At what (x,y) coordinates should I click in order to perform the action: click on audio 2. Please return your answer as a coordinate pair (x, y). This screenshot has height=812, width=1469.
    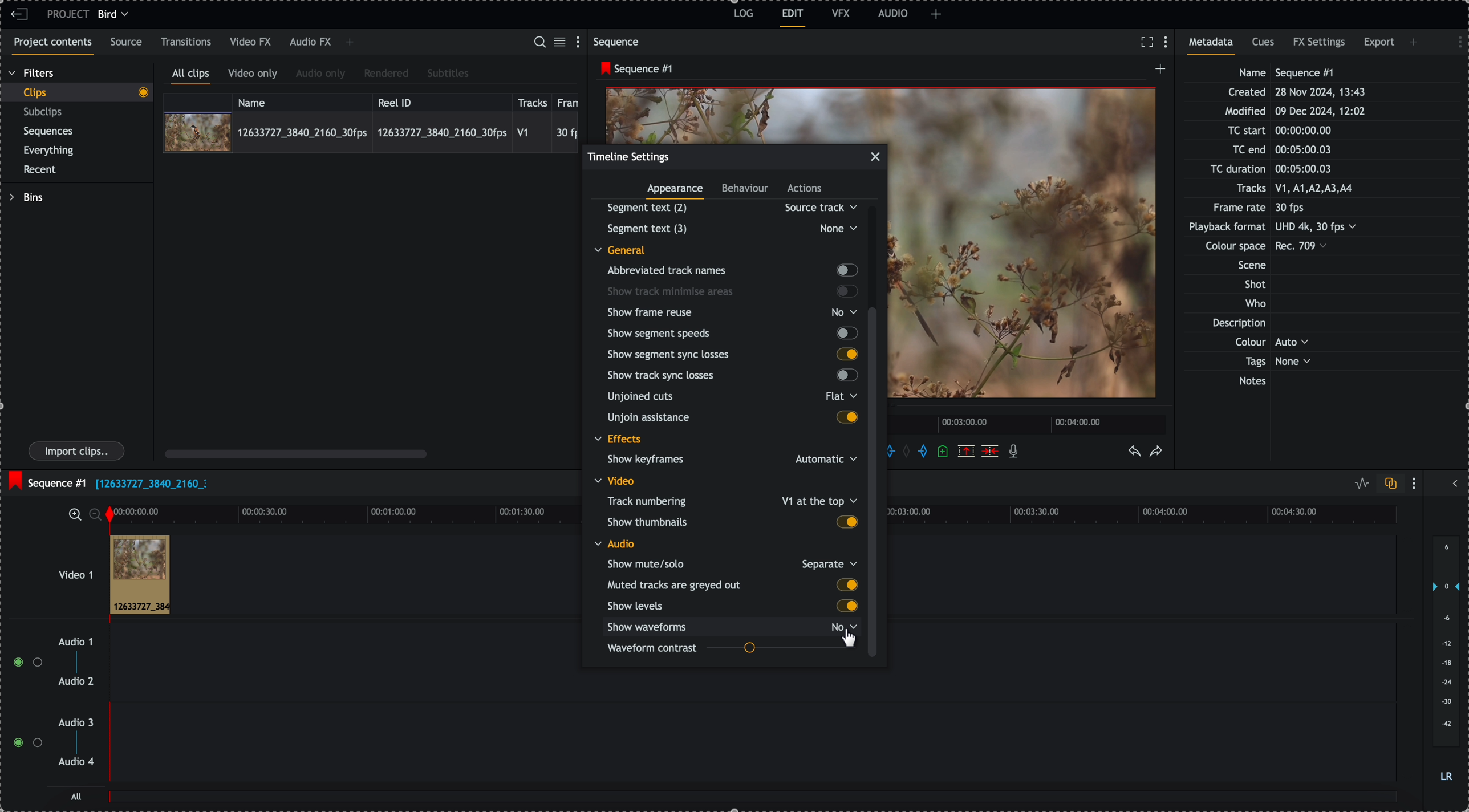
    Looking at the image, I should click on (74, 682).